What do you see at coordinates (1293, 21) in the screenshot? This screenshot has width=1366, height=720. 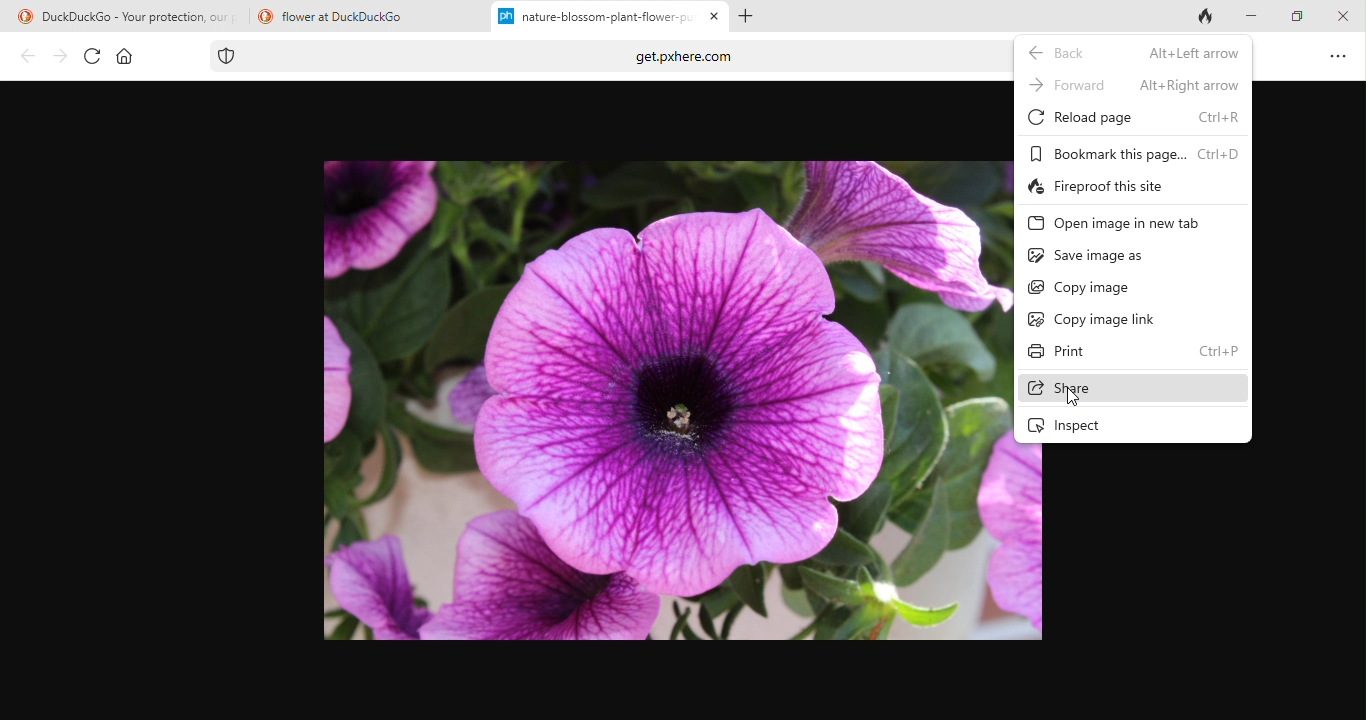 I see `maximize` at bounding box center [1293, 21].